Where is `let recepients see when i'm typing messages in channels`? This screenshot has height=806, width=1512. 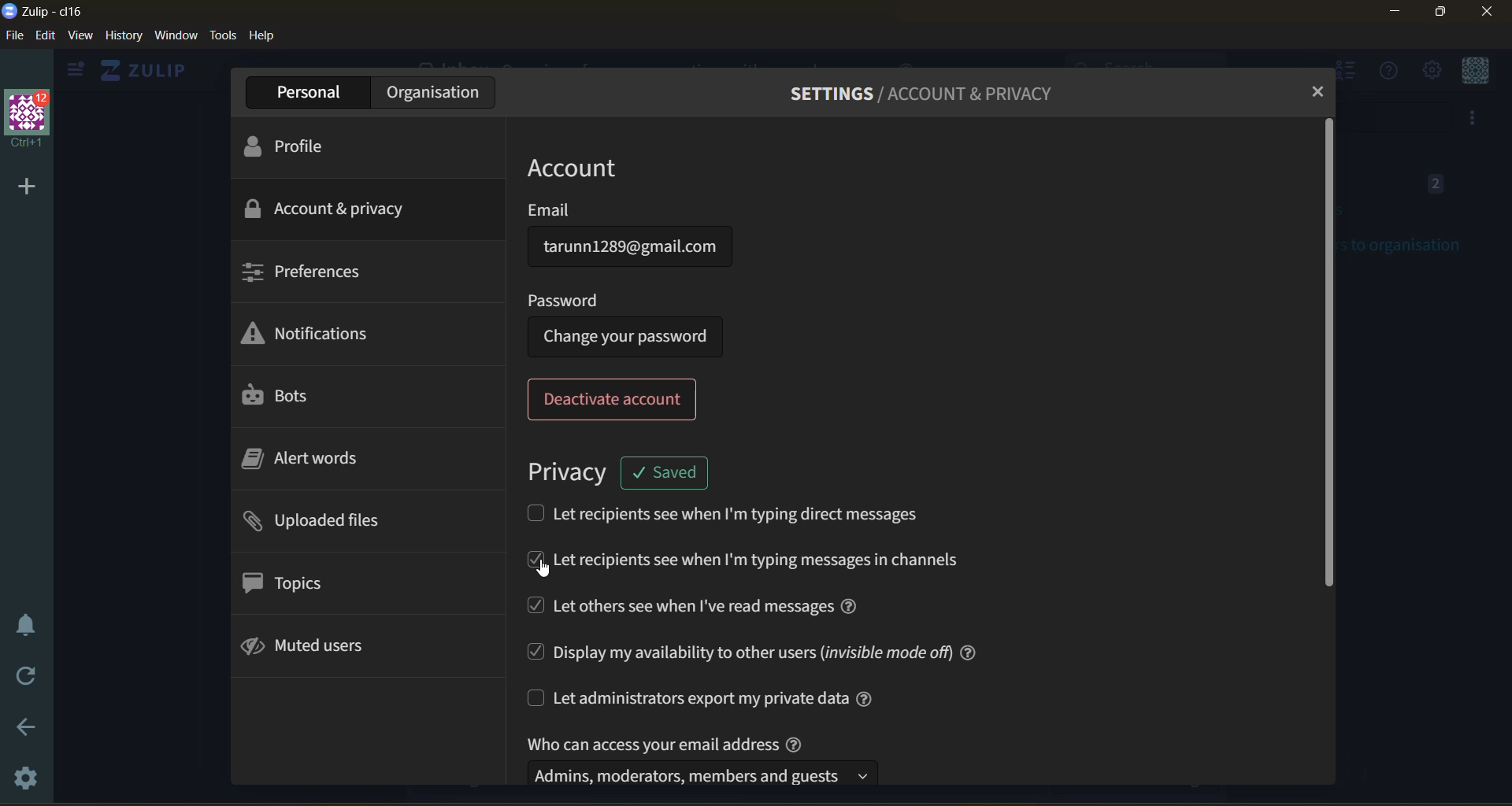 let recepients see when i'm typing messages in channels is located at coordinates (750, 562).